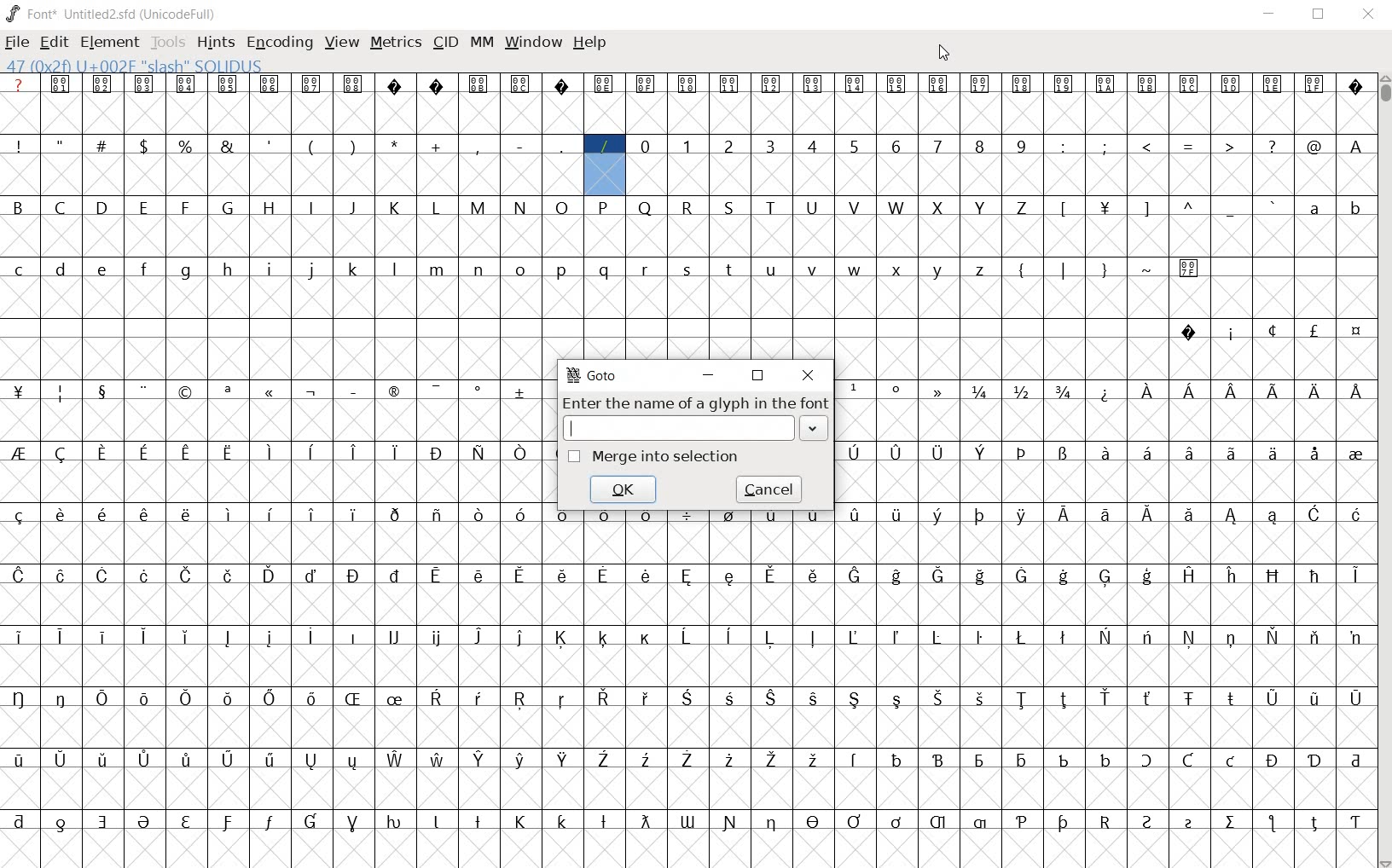 The width and height of the screenshot is (1392, 868). I want to click on glyph, so click(1149, 269).